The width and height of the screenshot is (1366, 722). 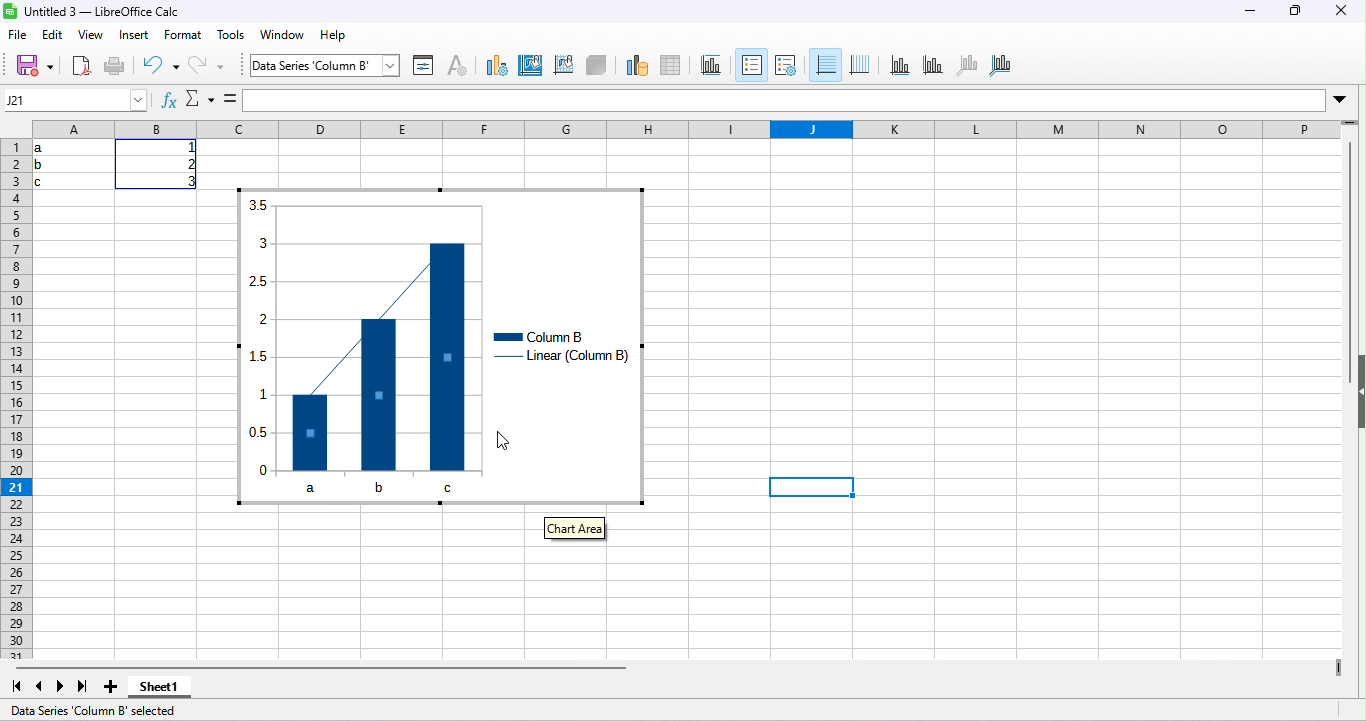 I want to click on scroll to previous sheet, so click(x=39, y=687).